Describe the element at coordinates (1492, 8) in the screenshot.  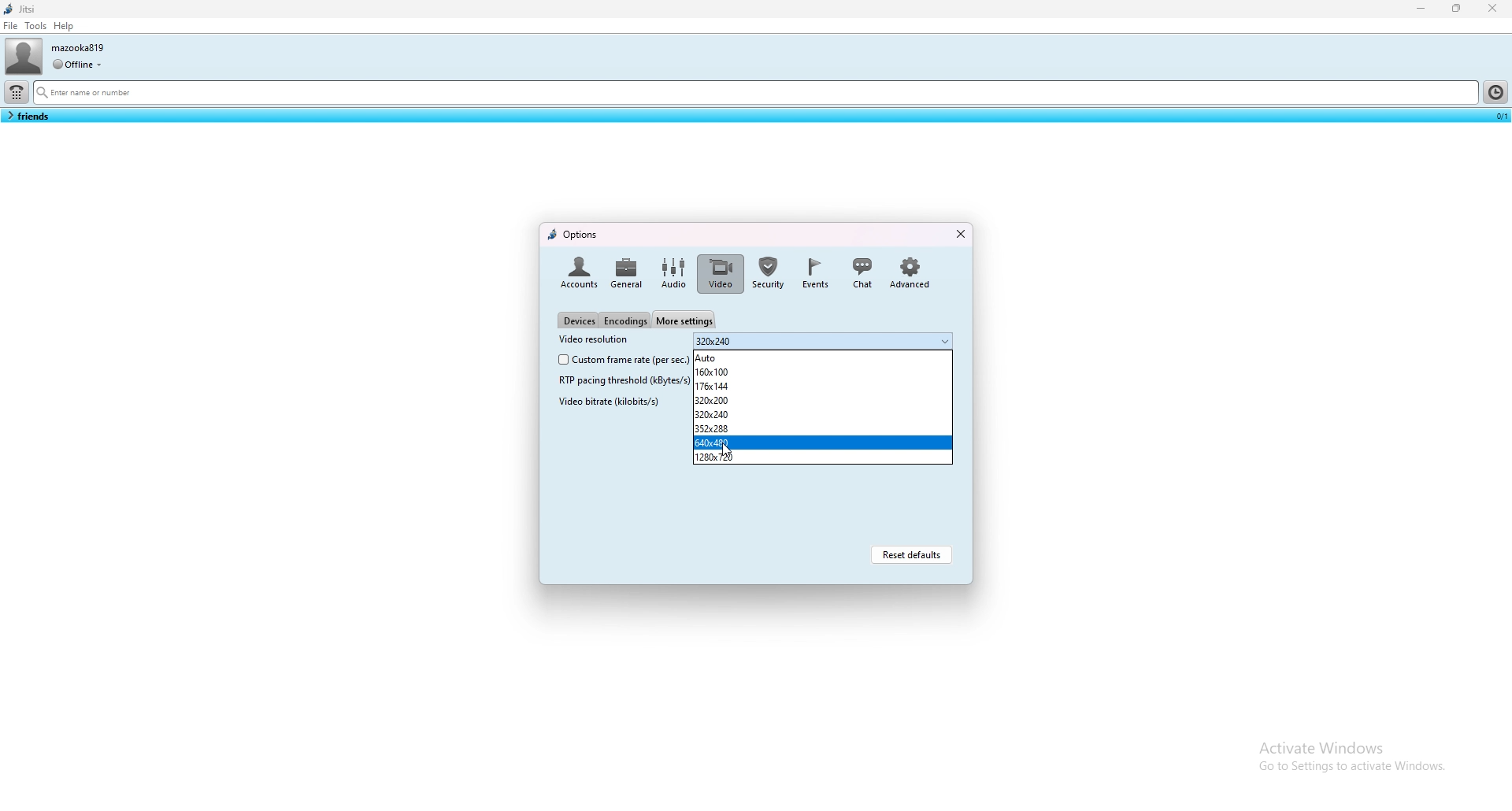
I see `close` at that location.